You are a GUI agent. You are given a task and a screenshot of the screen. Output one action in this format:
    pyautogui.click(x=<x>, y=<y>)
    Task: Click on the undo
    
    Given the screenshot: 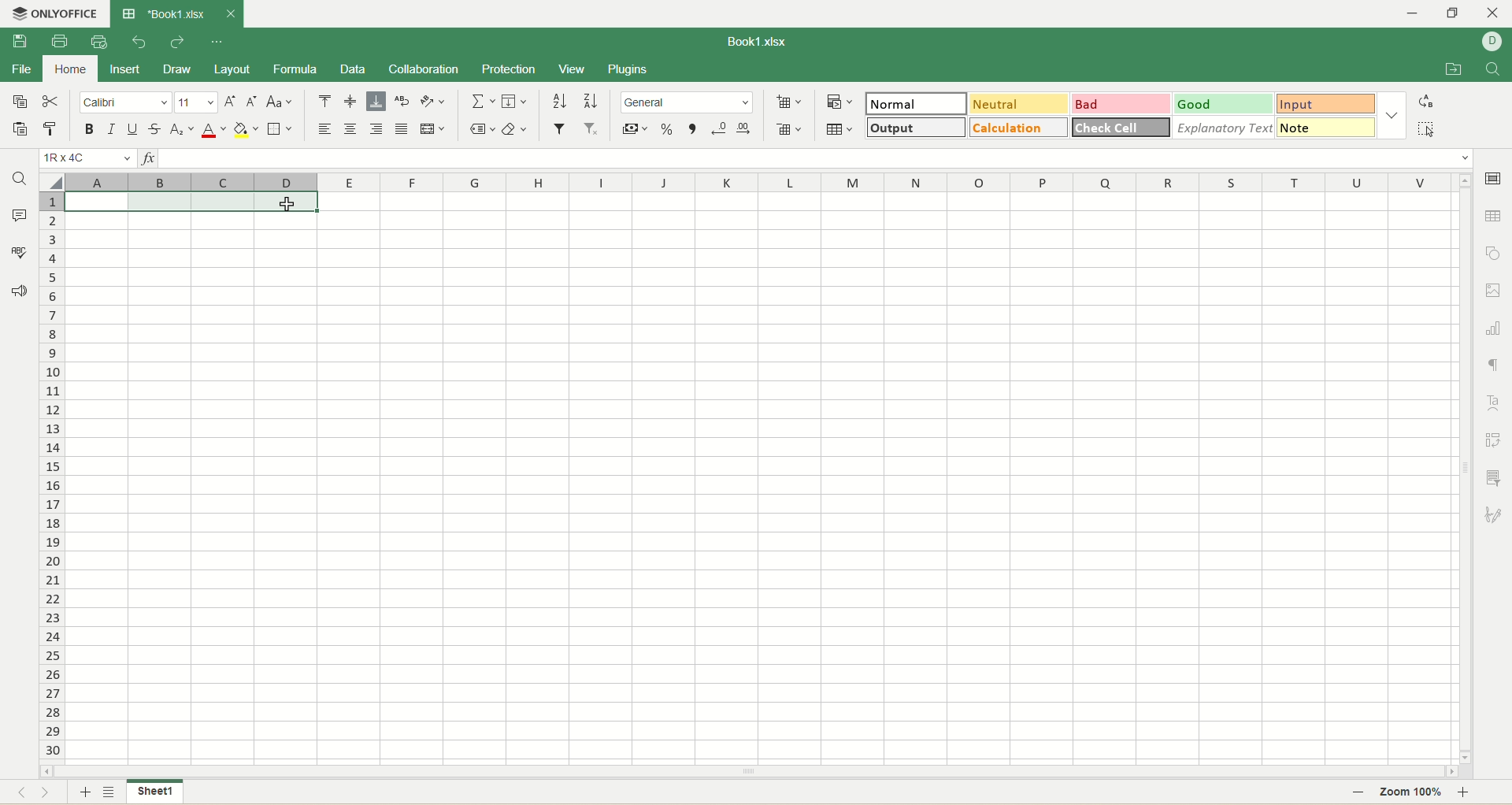 What is the action you would take?
    pyautogui.click(x=136, y=43)
    